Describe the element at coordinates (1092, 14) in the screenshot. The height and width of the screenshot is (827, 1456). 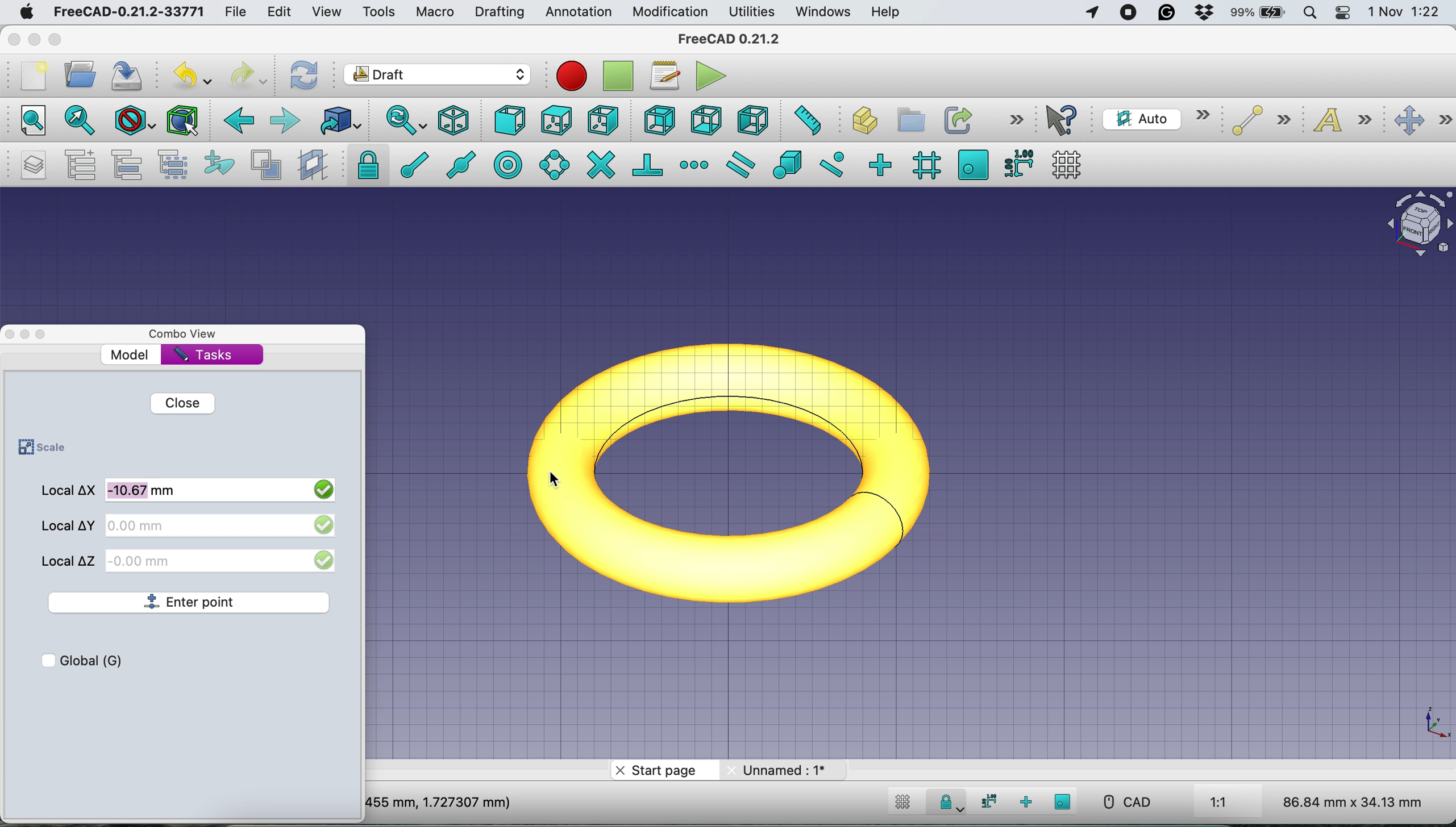
I see `Apps Using Location` at that location.